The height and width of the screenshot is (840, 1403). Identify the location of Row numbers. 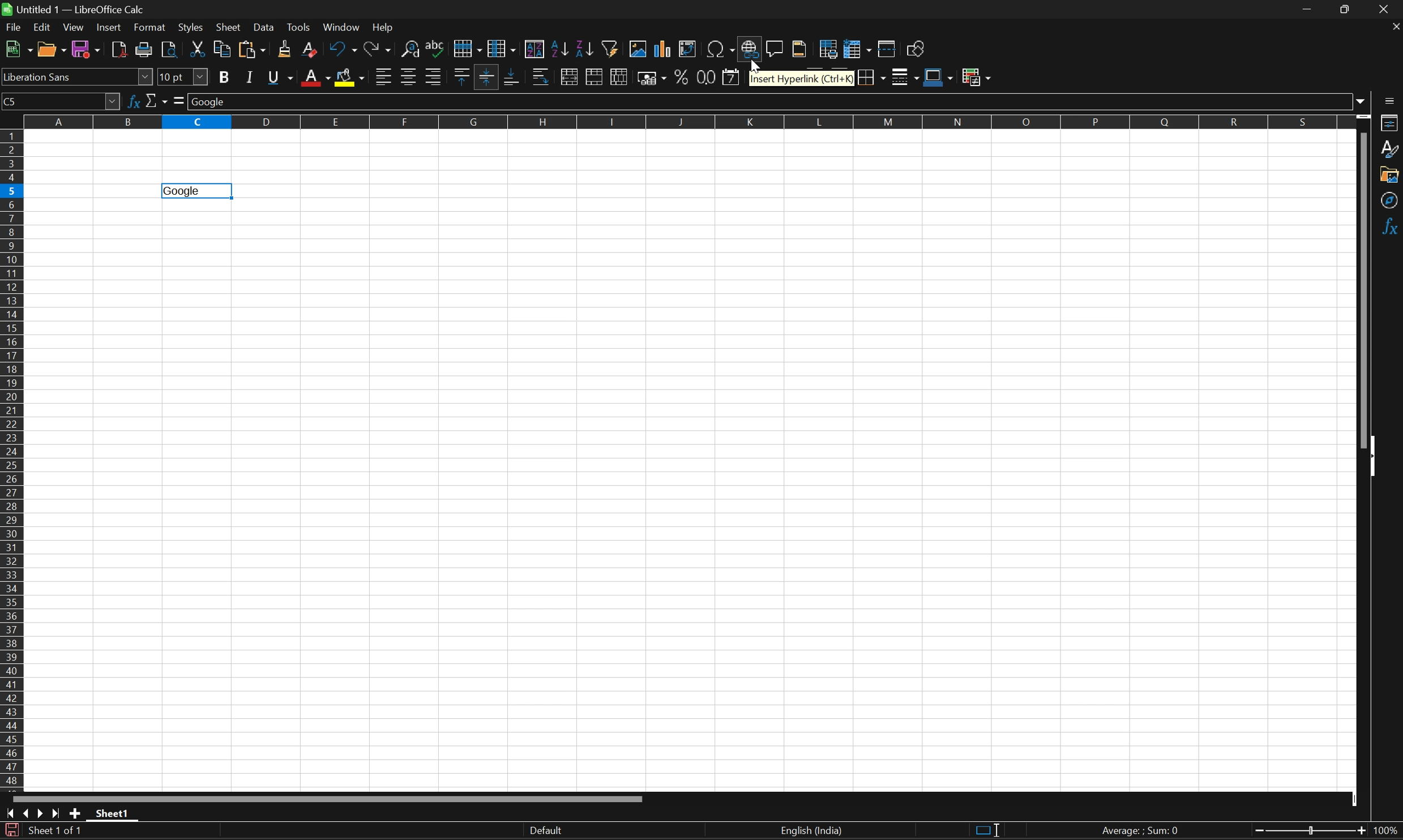
(13, 462).